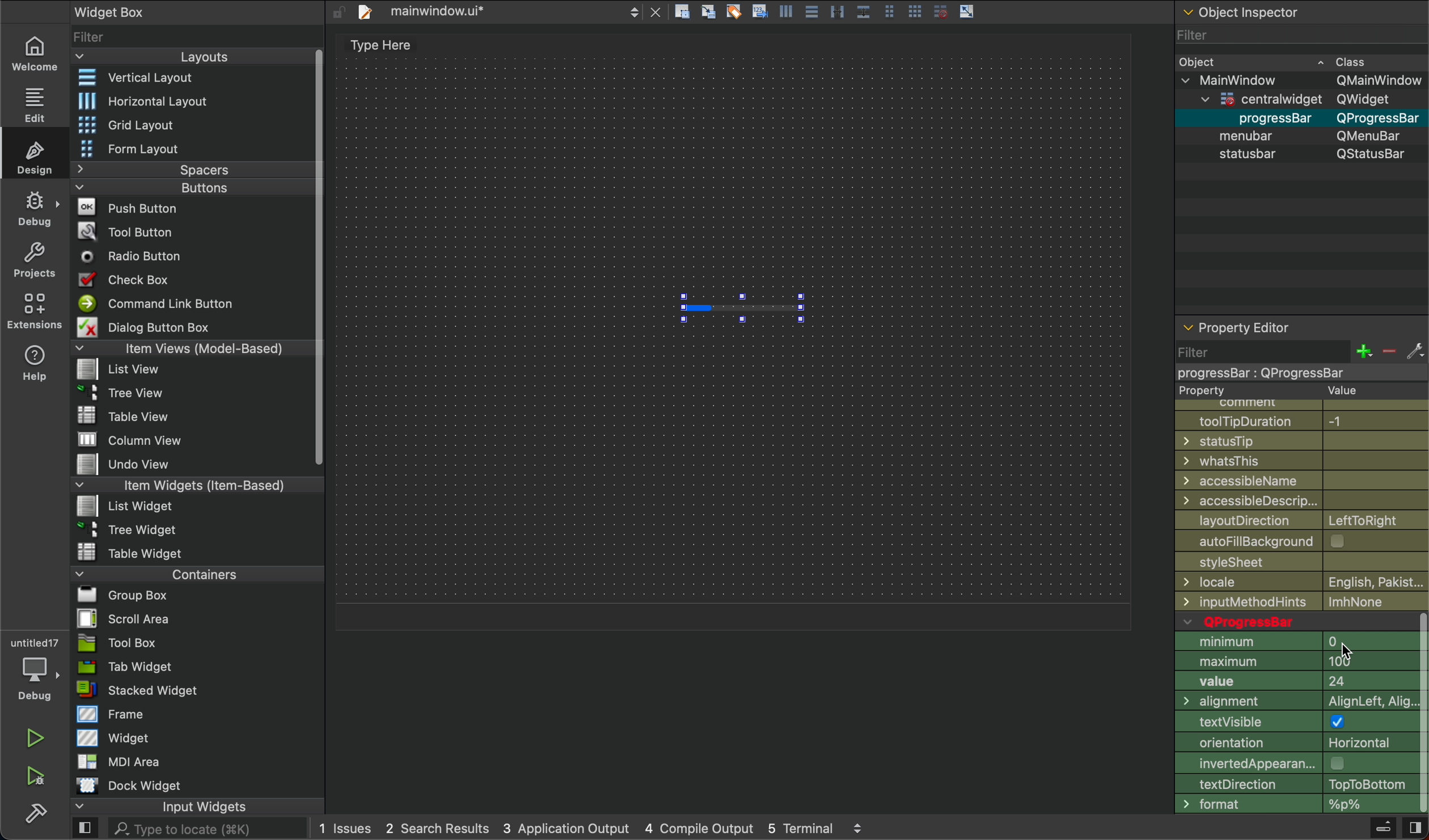  Describe the element at coordinates (206, 829) in the screenshot. I see `search here` at that location.